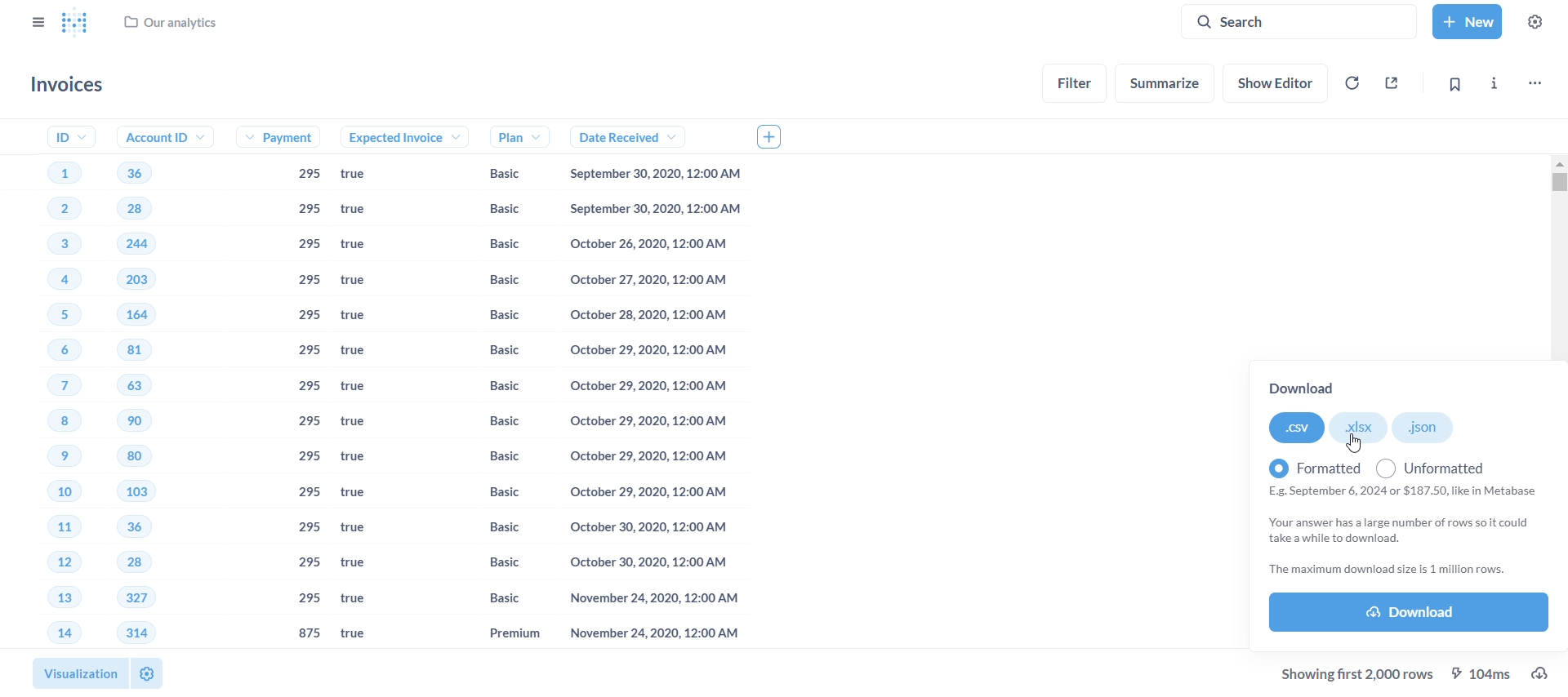 This screenshot has width=1568, height=697. I want to click on Basic, so click(497, 529).